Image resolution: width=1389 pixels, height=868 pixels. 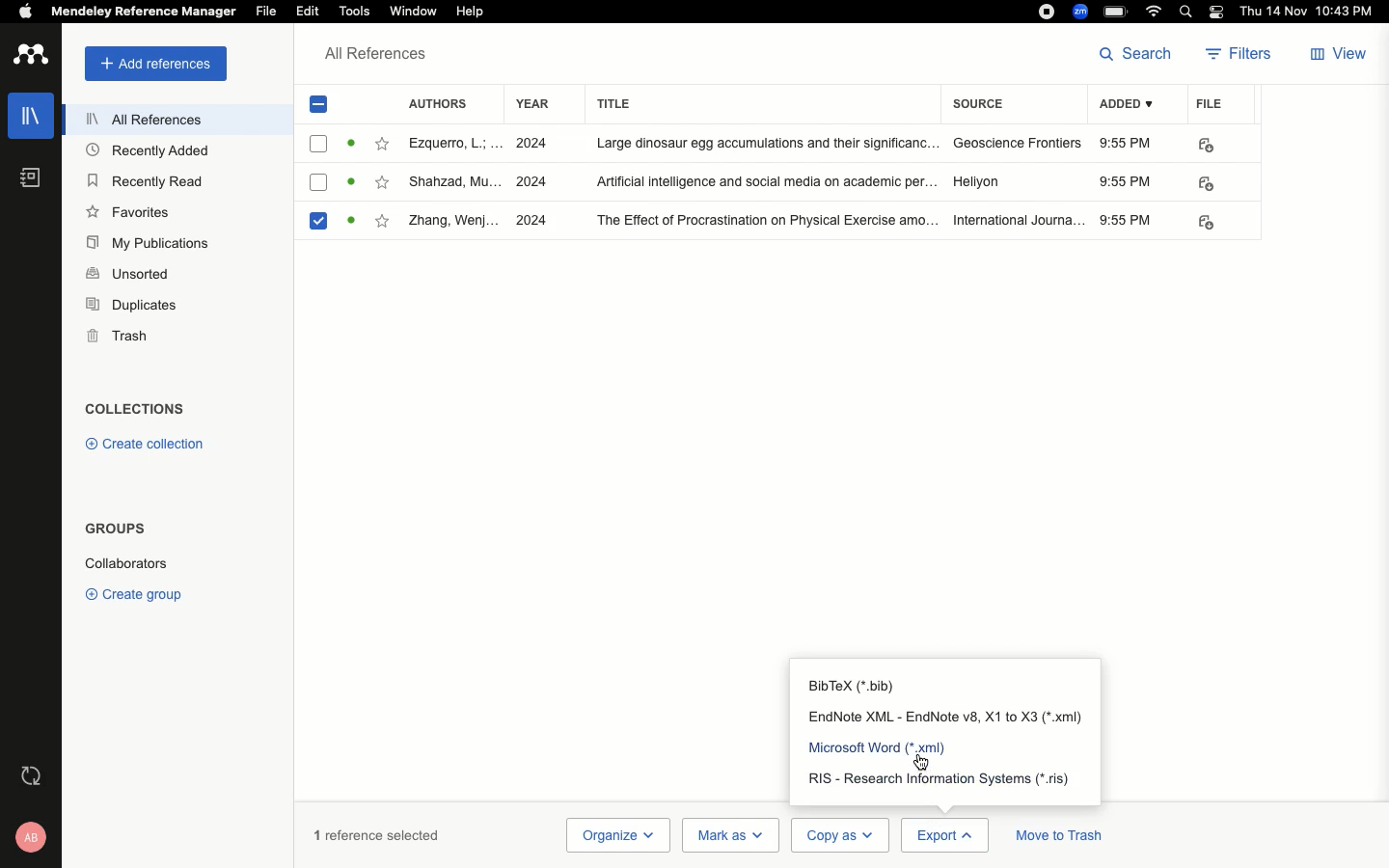 What do you see at coordinates (413, 12) in the screenshot?
I see `Window` at bounding box center [413, 12].